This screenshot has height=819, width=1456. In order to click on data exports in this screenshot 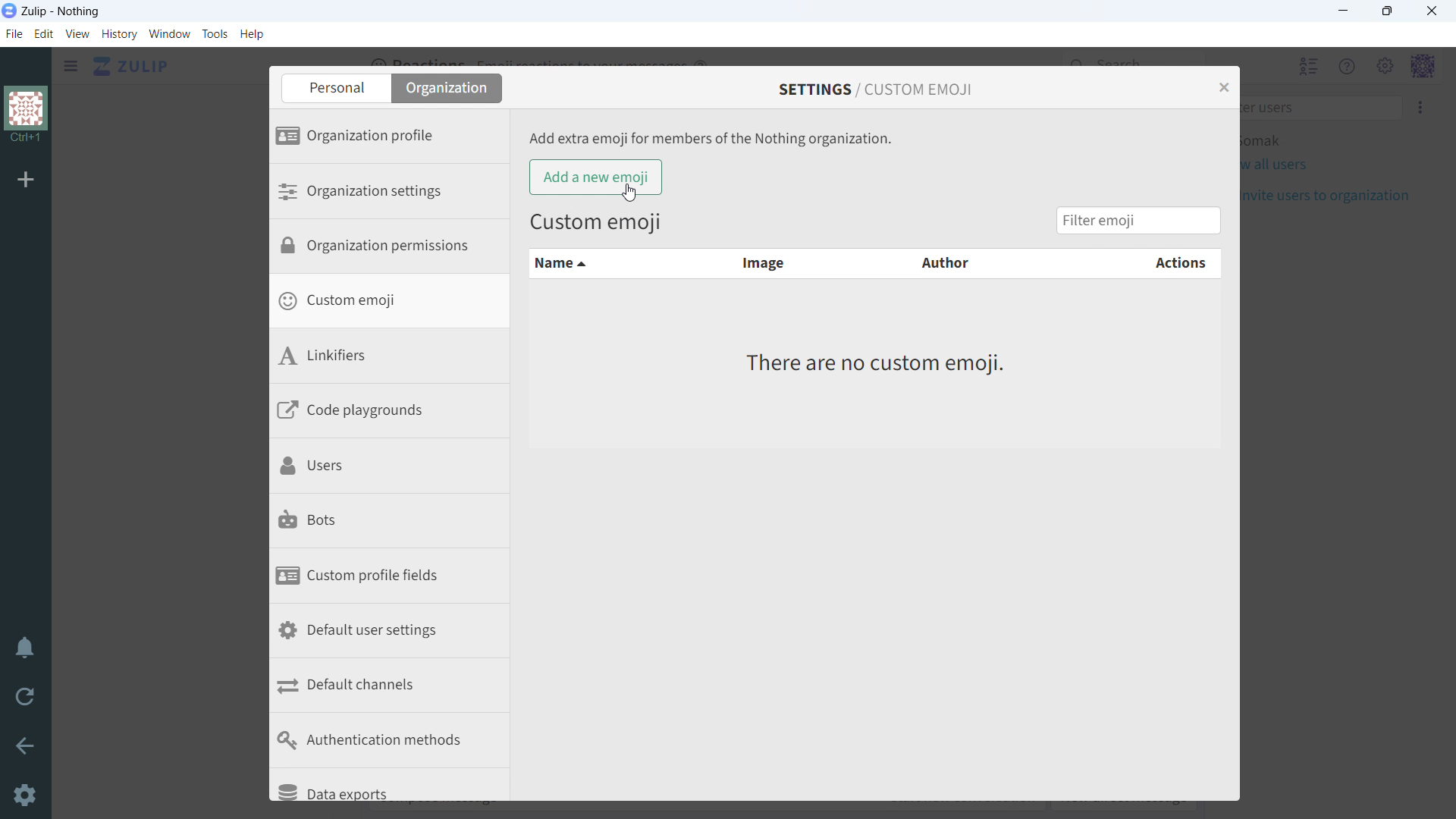, I will do `click(388, 785)`.